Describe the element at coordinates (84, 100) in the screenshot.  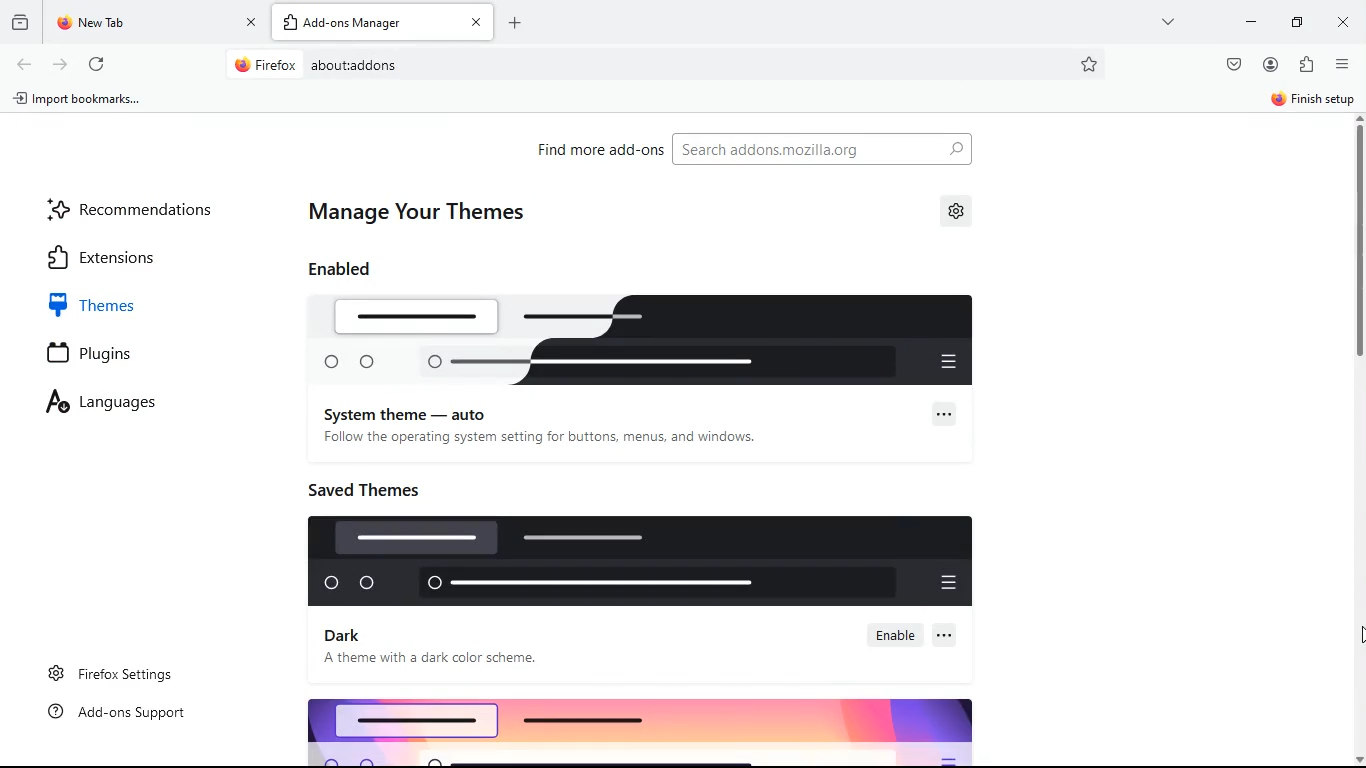
I see `import bookmarks` at that location.